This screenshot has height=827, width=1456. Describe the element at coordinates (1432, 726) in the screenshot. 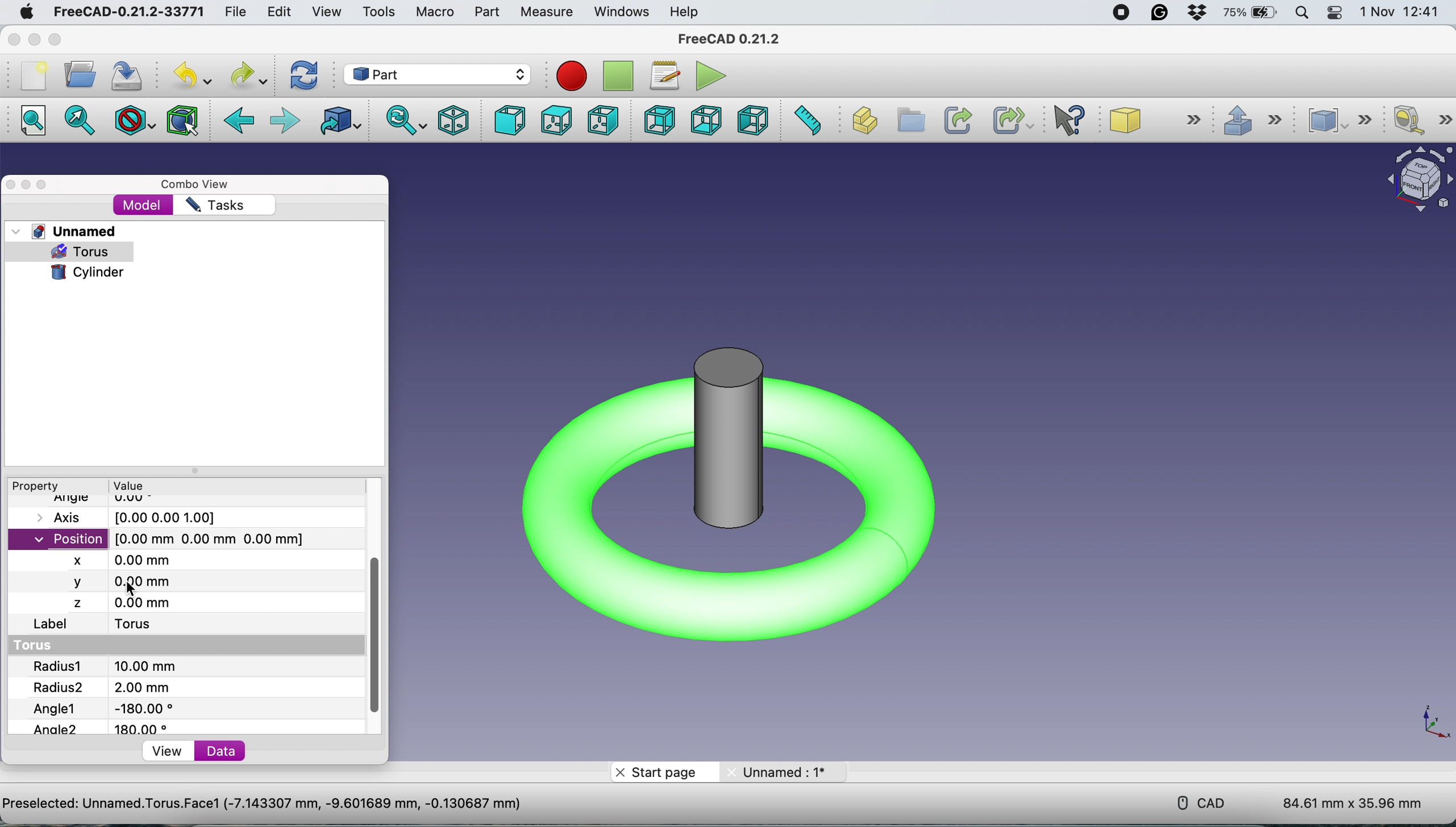

I see `xy coordinate` at that location.